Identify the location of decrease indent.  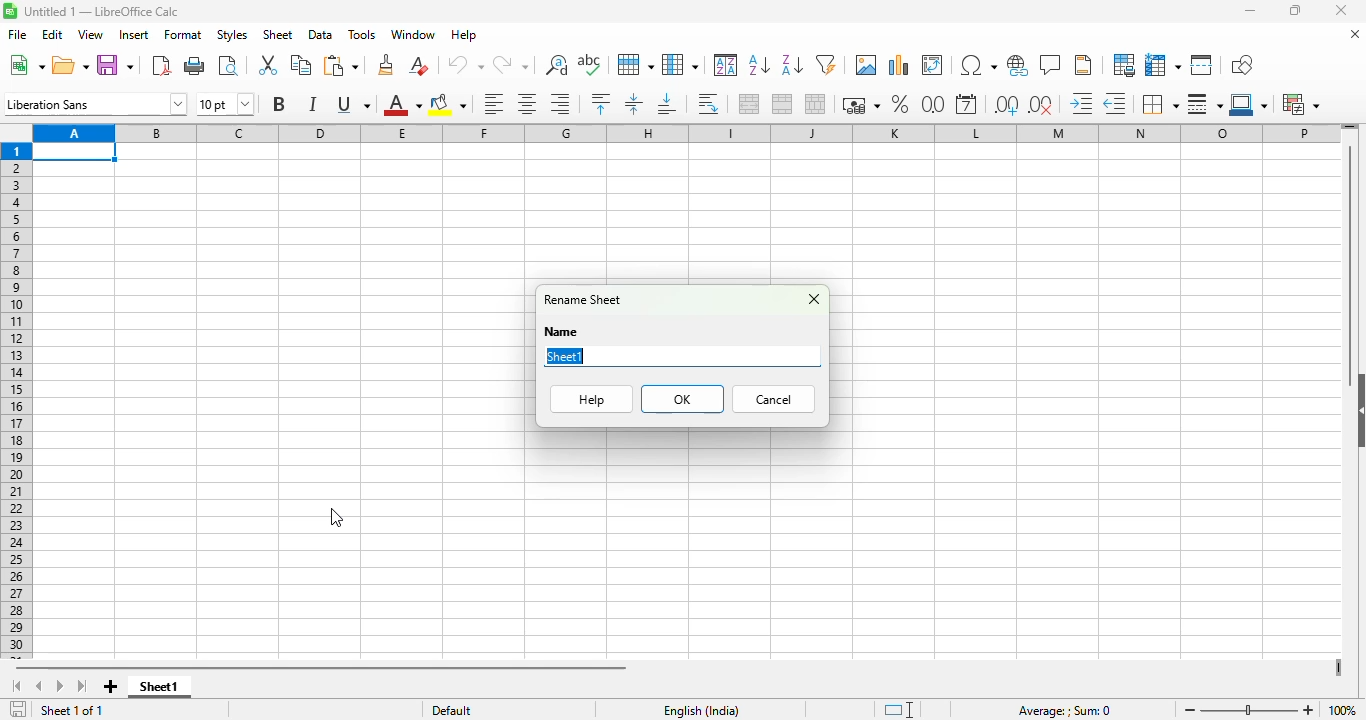
(1114, 103).